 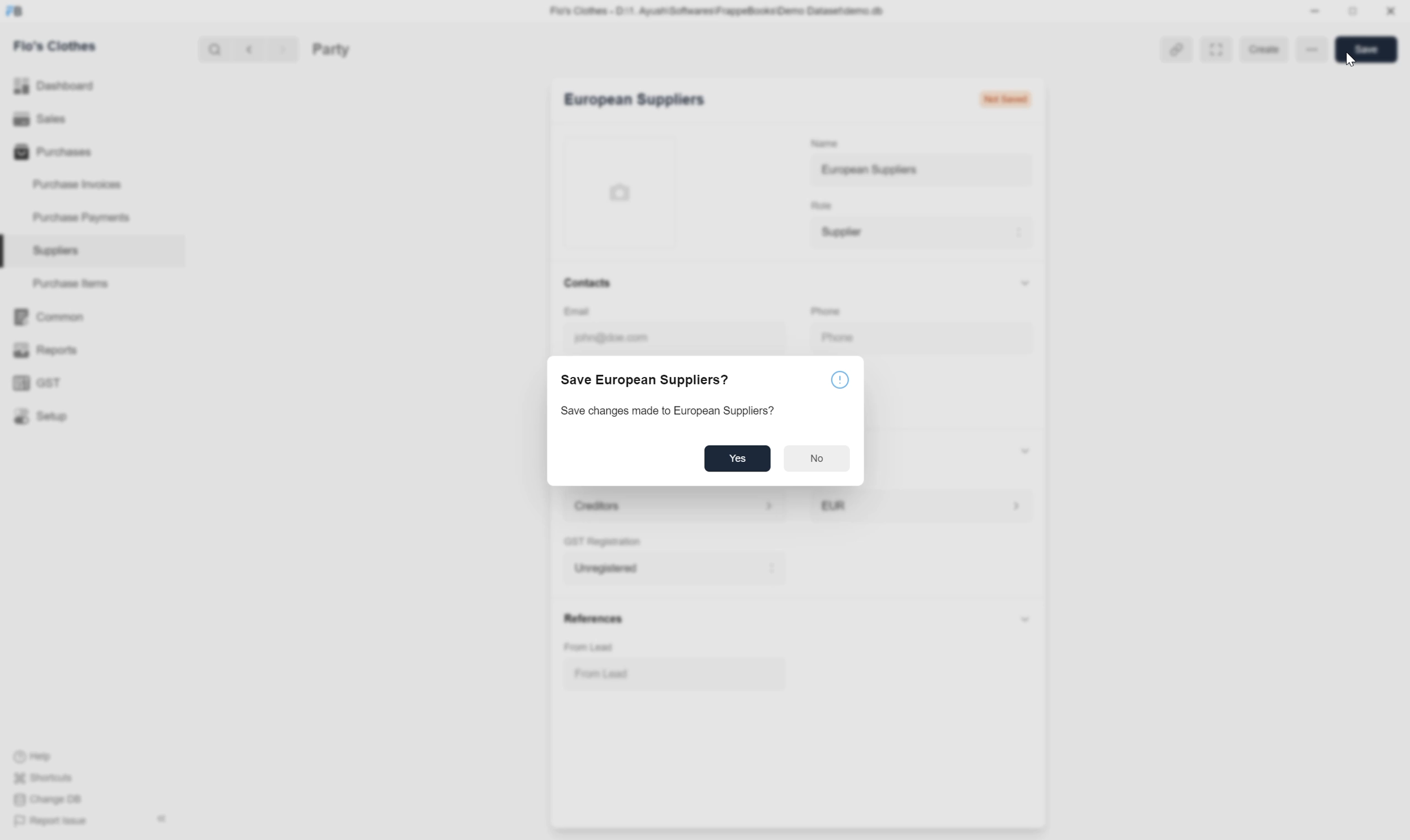 What do you see at coordinates (279, 48) in the screenshot?
I see `forward` at bounding box center [279, 48].